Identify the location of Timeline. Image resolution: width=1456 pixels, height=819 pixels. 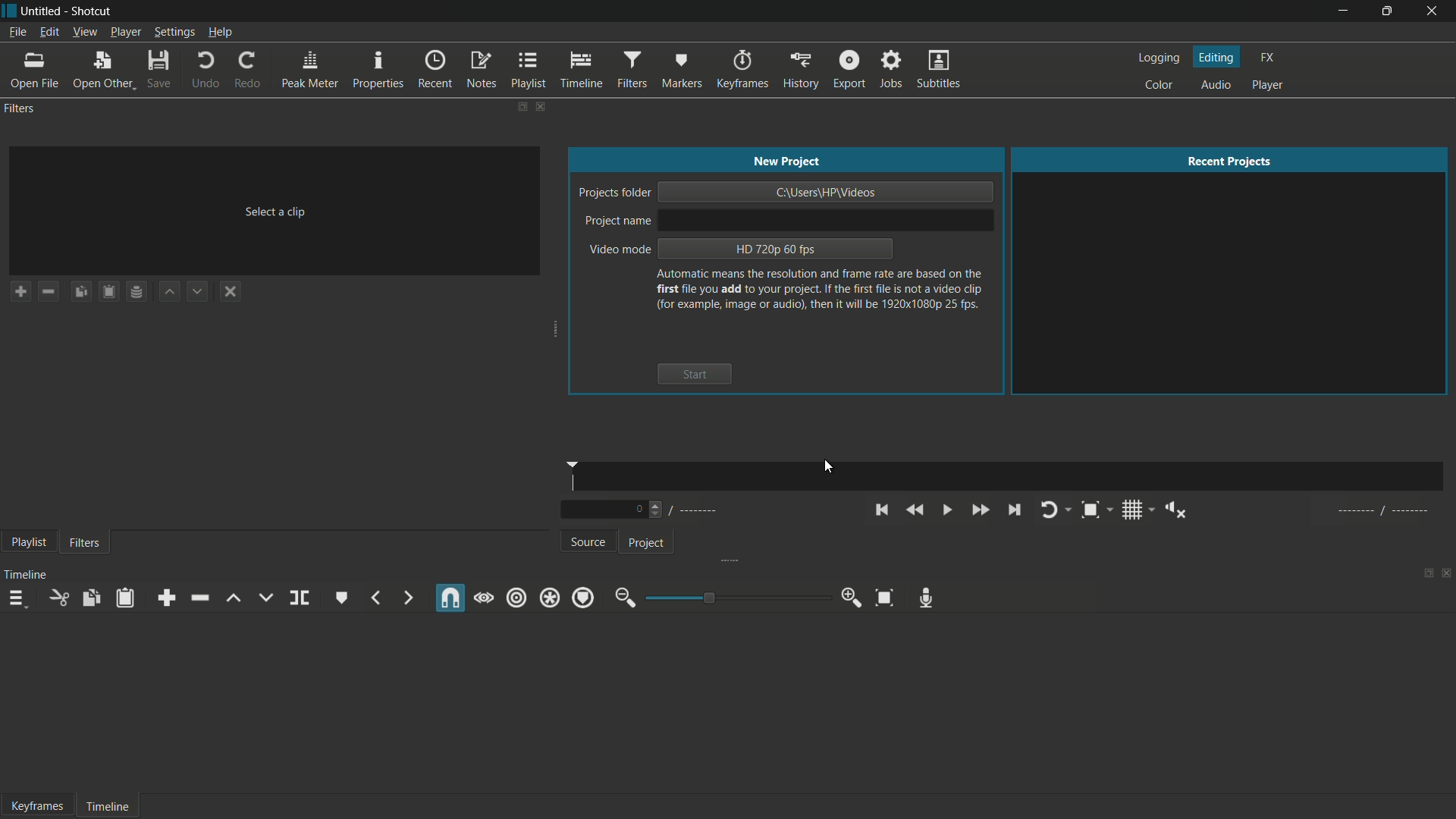
(106, 804).